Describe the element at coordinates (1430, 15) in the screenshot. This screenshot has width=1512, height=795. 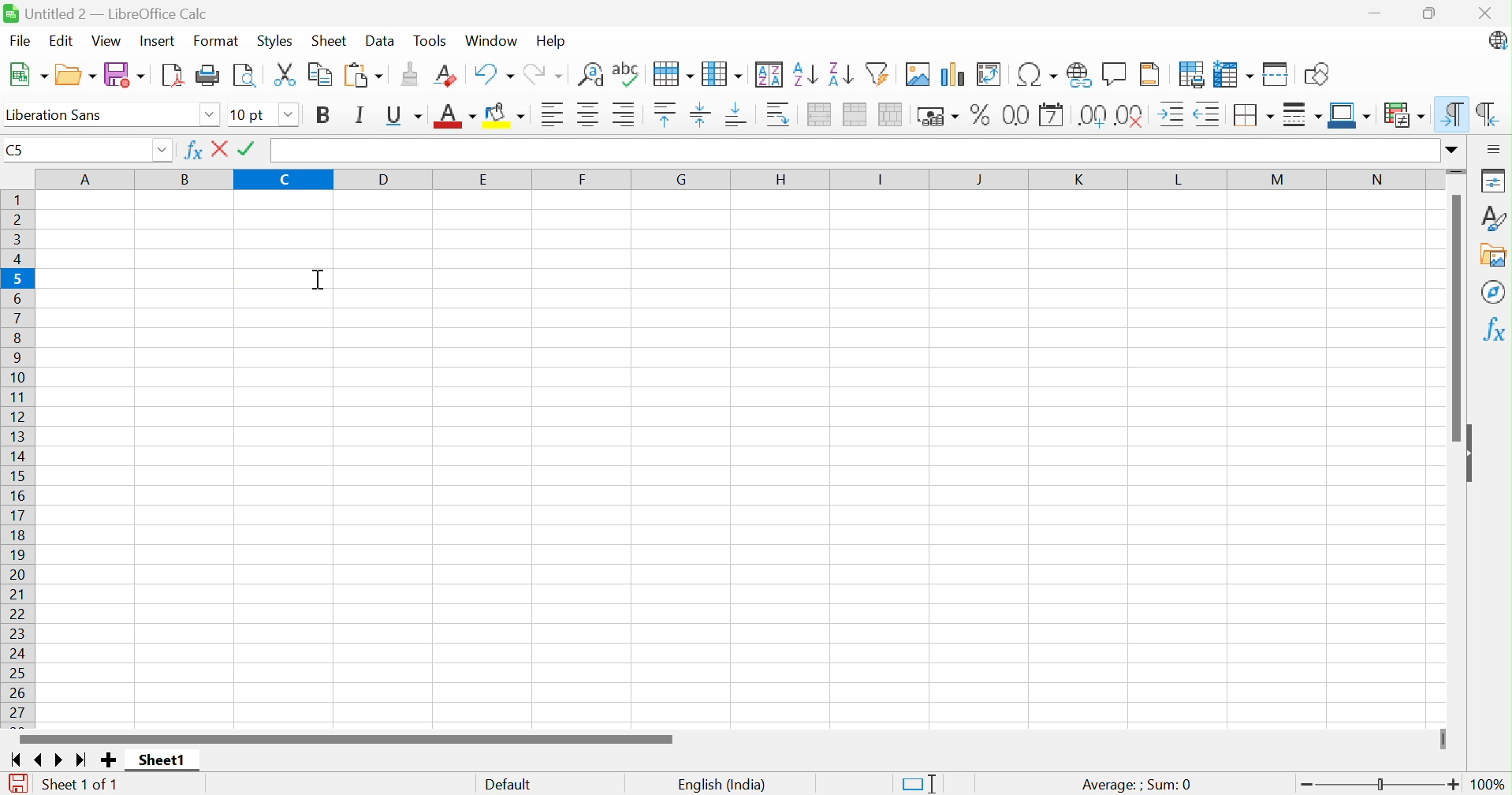
I see `Restore down` at that location.